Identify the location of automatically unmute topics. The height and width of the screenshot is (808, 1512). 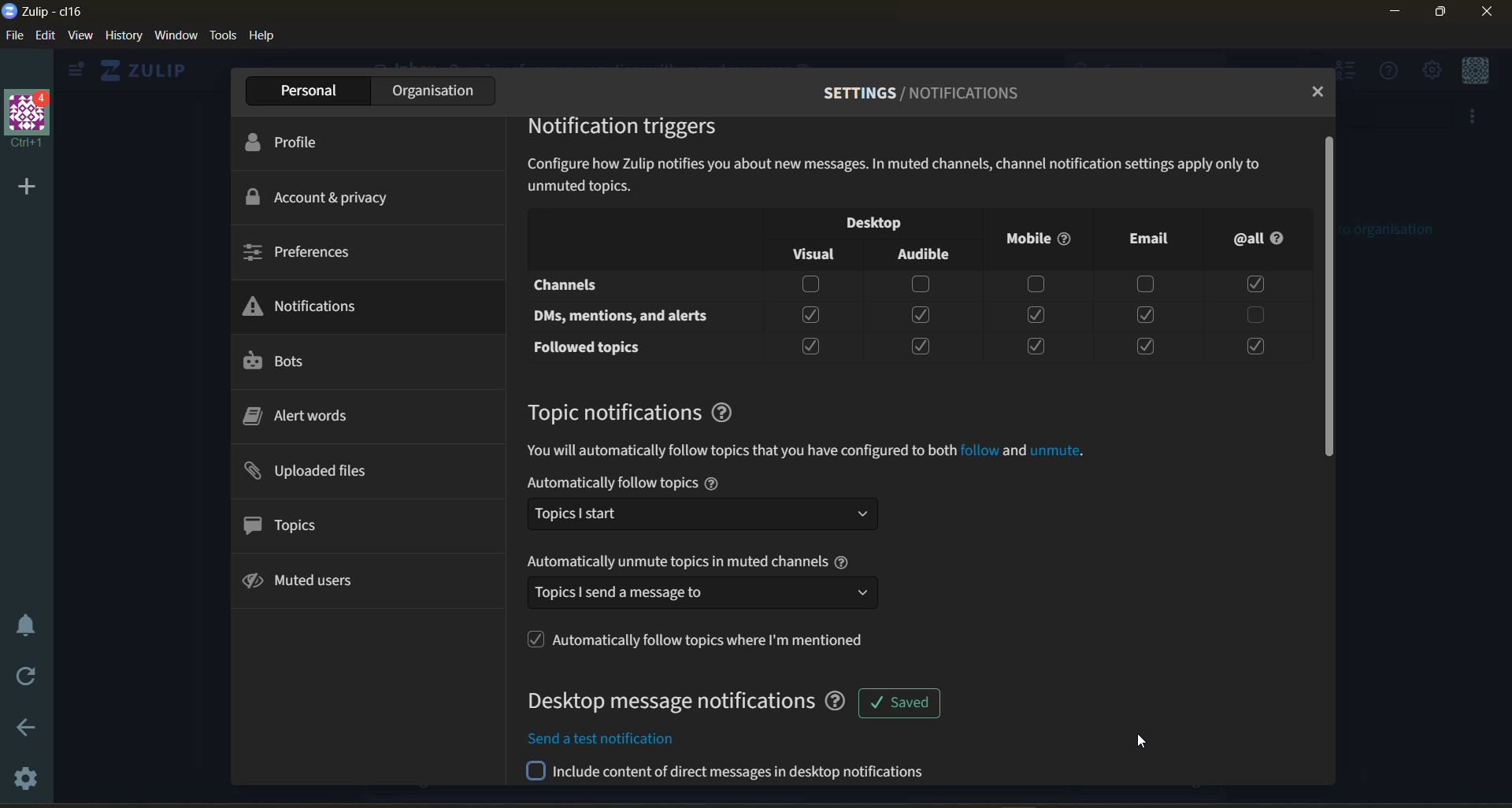
(693, 564).